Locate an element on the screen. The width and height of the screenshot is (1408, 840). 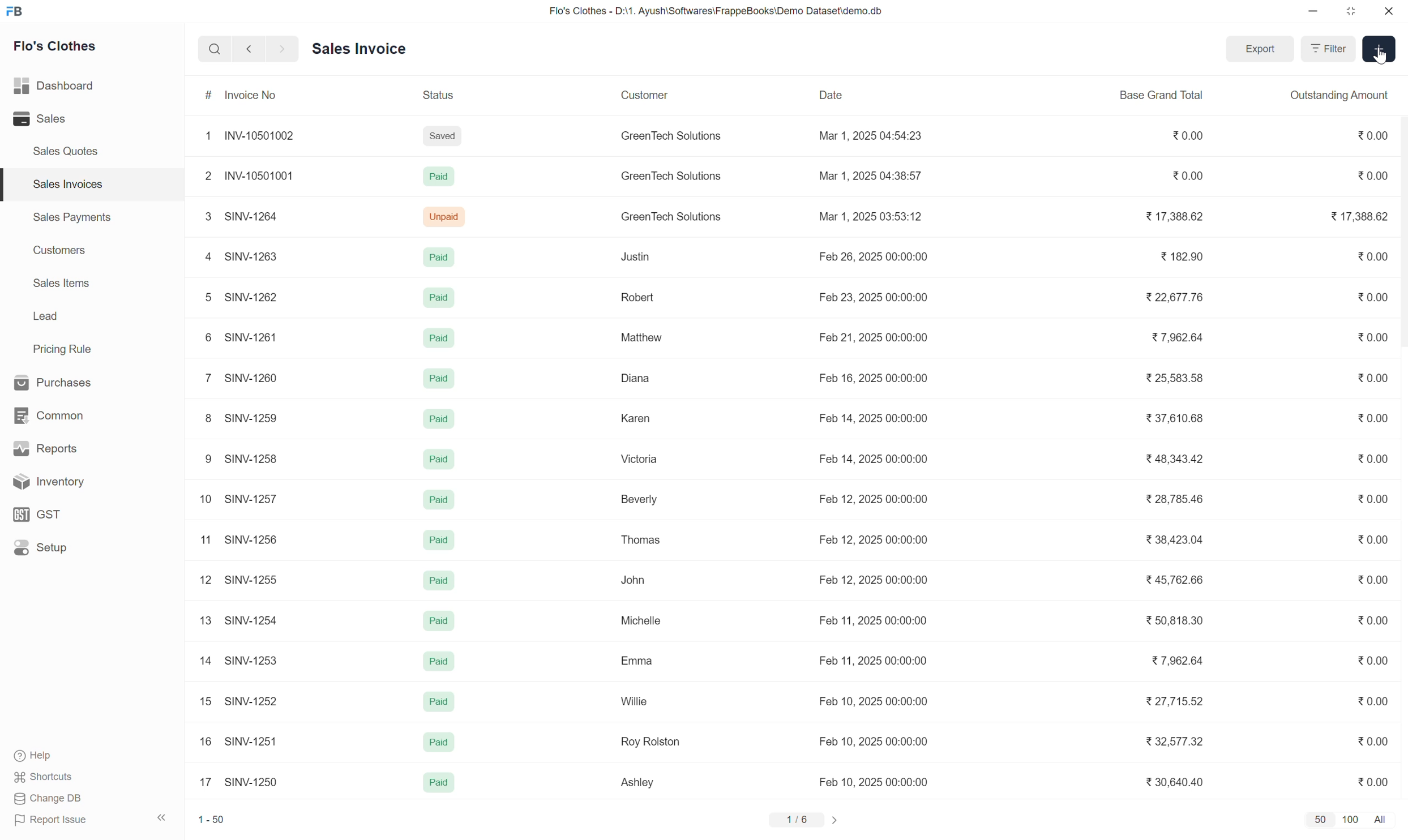
Change DB is located at coordinates (50, 800).